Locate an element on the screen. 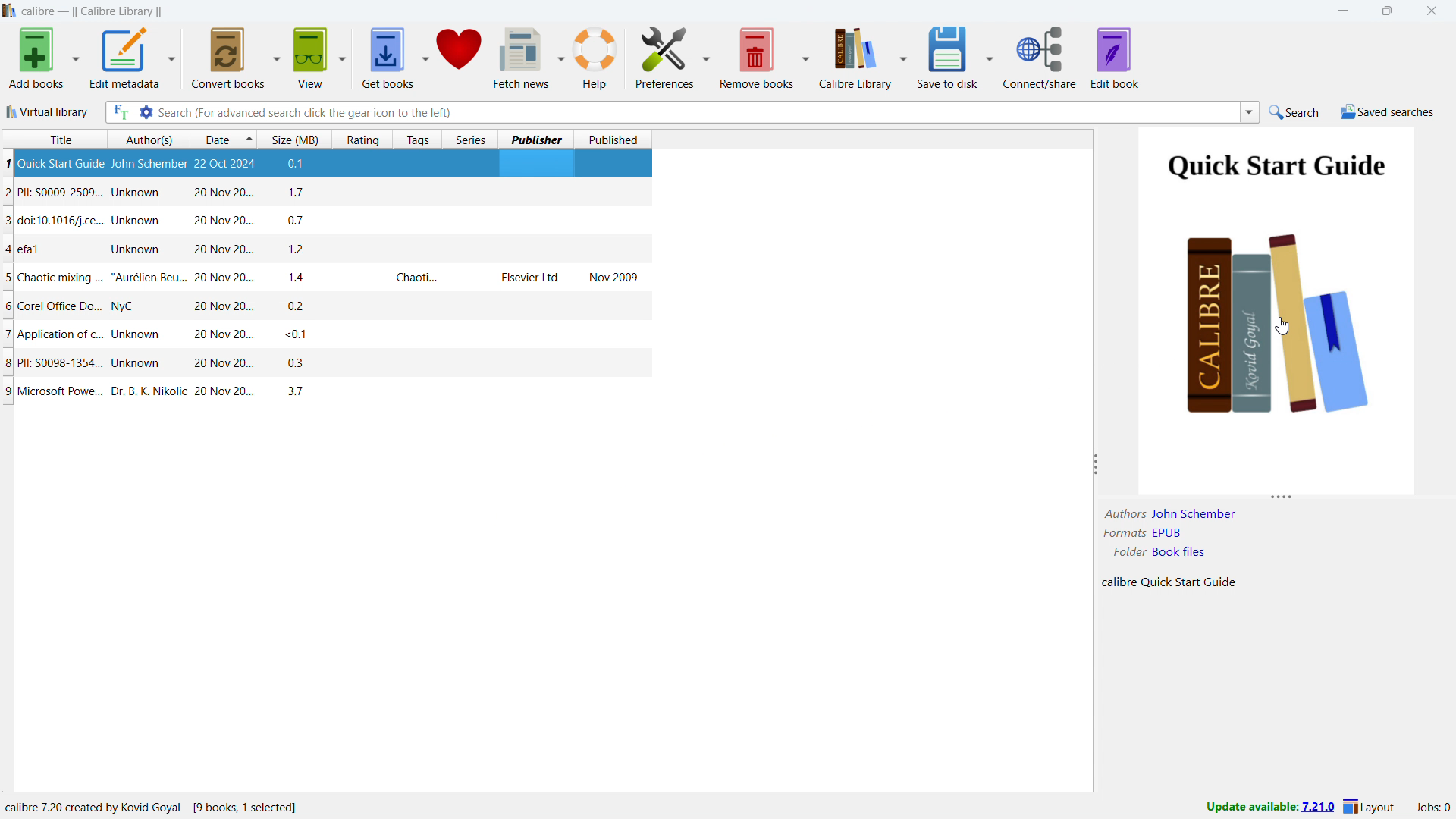 The width and height of the screenshot is (1456, 819). resize is located at coordinates (1282, 500).